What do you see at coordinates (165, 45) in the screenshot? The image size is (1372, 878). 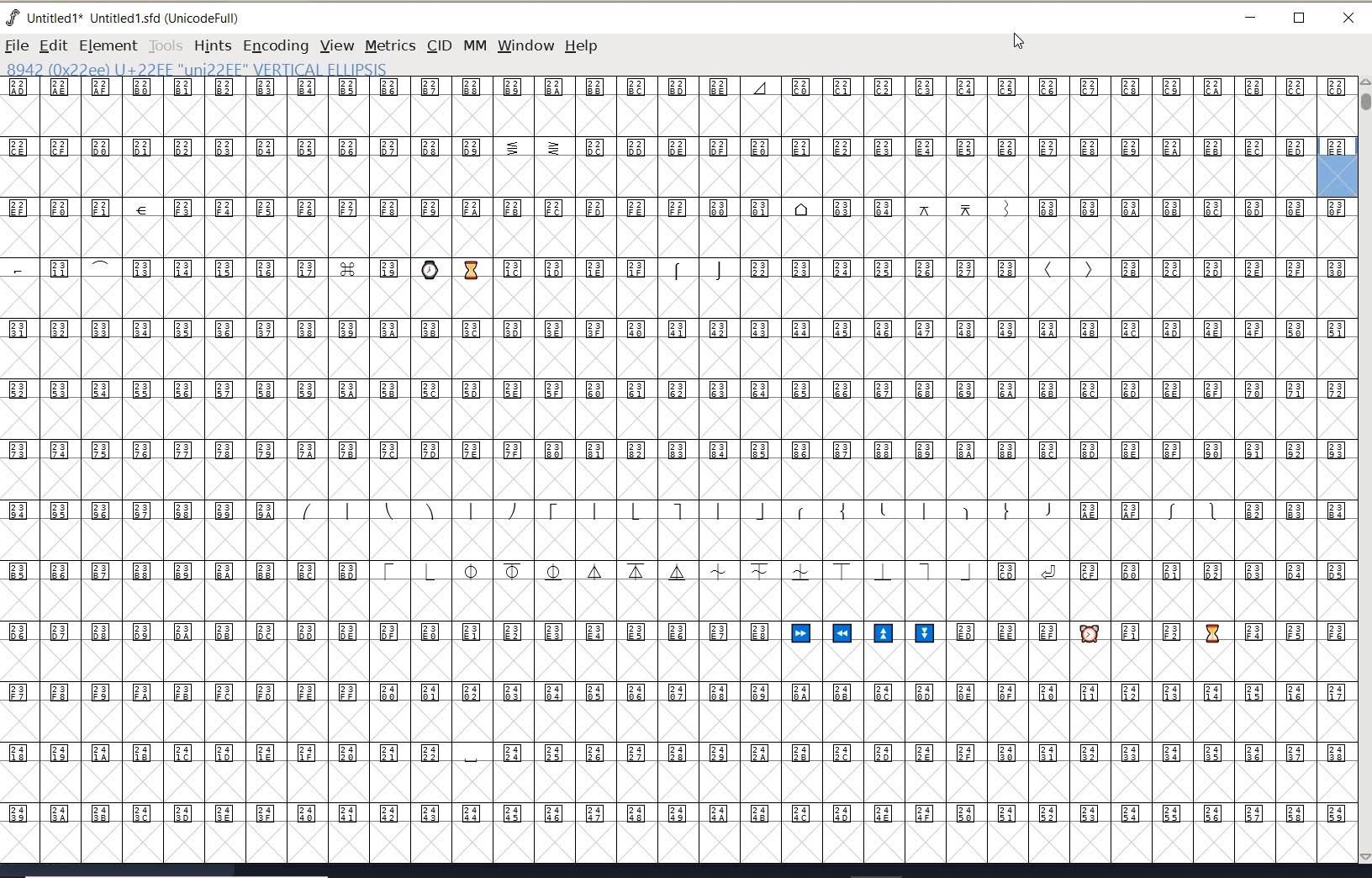 I see `TOOLS` at bounding box center [165, 45].